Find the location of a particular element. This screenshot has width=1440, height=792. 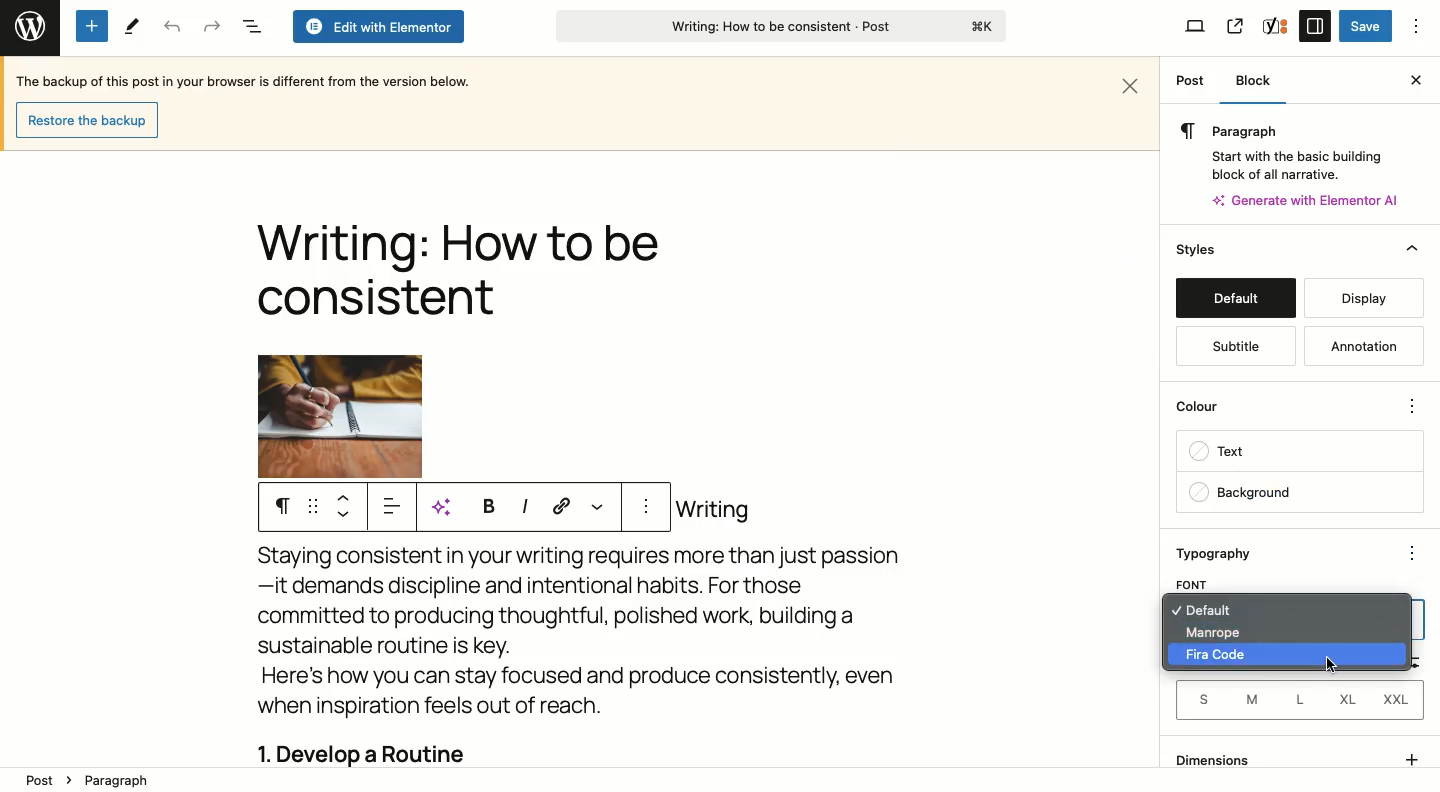

Display is located at coordinates (1365, 298).